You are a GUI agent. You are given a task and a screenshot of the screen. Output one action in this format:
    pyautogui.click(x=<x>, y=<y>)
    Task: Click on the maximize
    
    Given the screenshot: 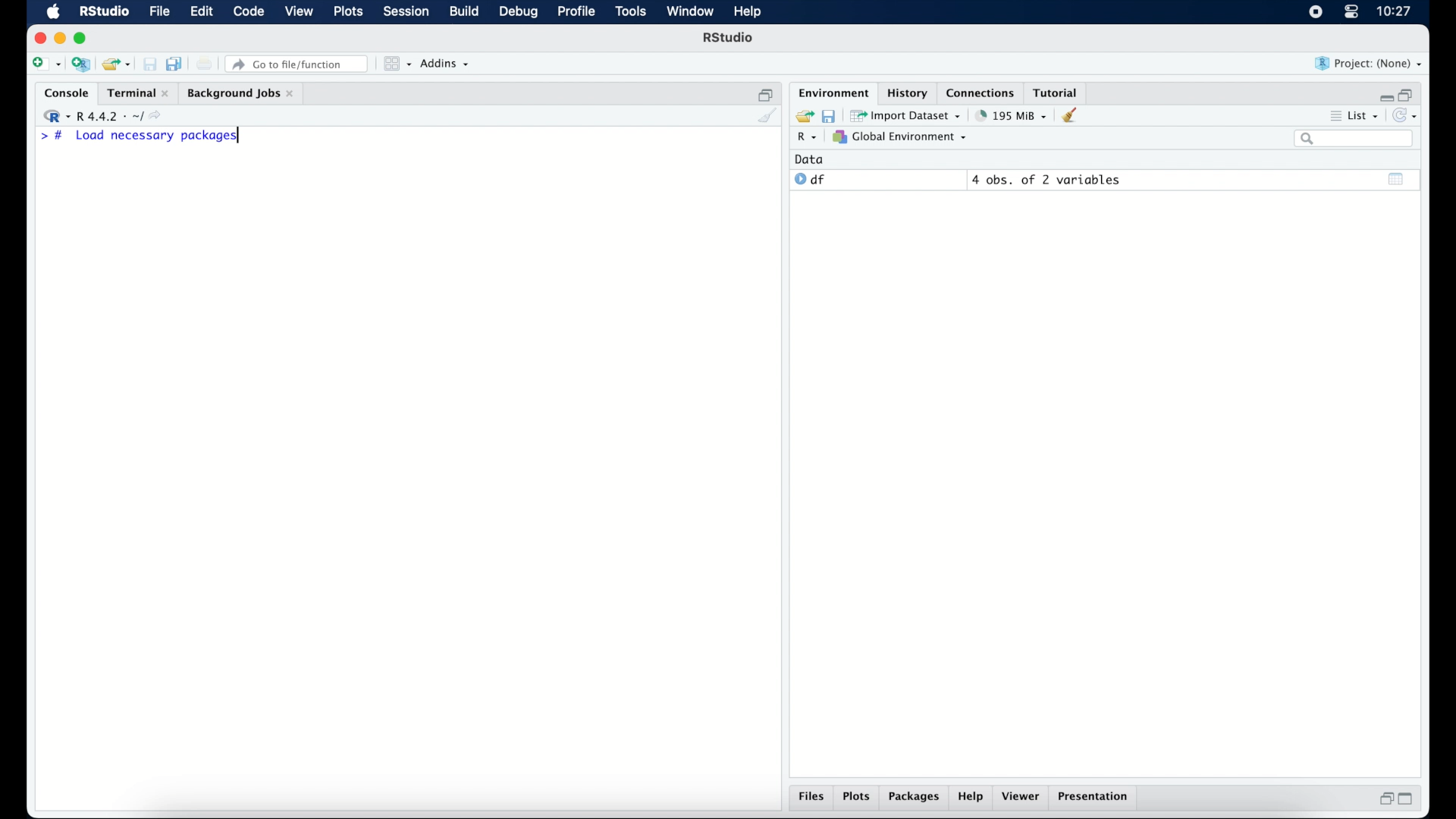 What is the action you would take?
    pyautogui.click(x=83, y=38)
    